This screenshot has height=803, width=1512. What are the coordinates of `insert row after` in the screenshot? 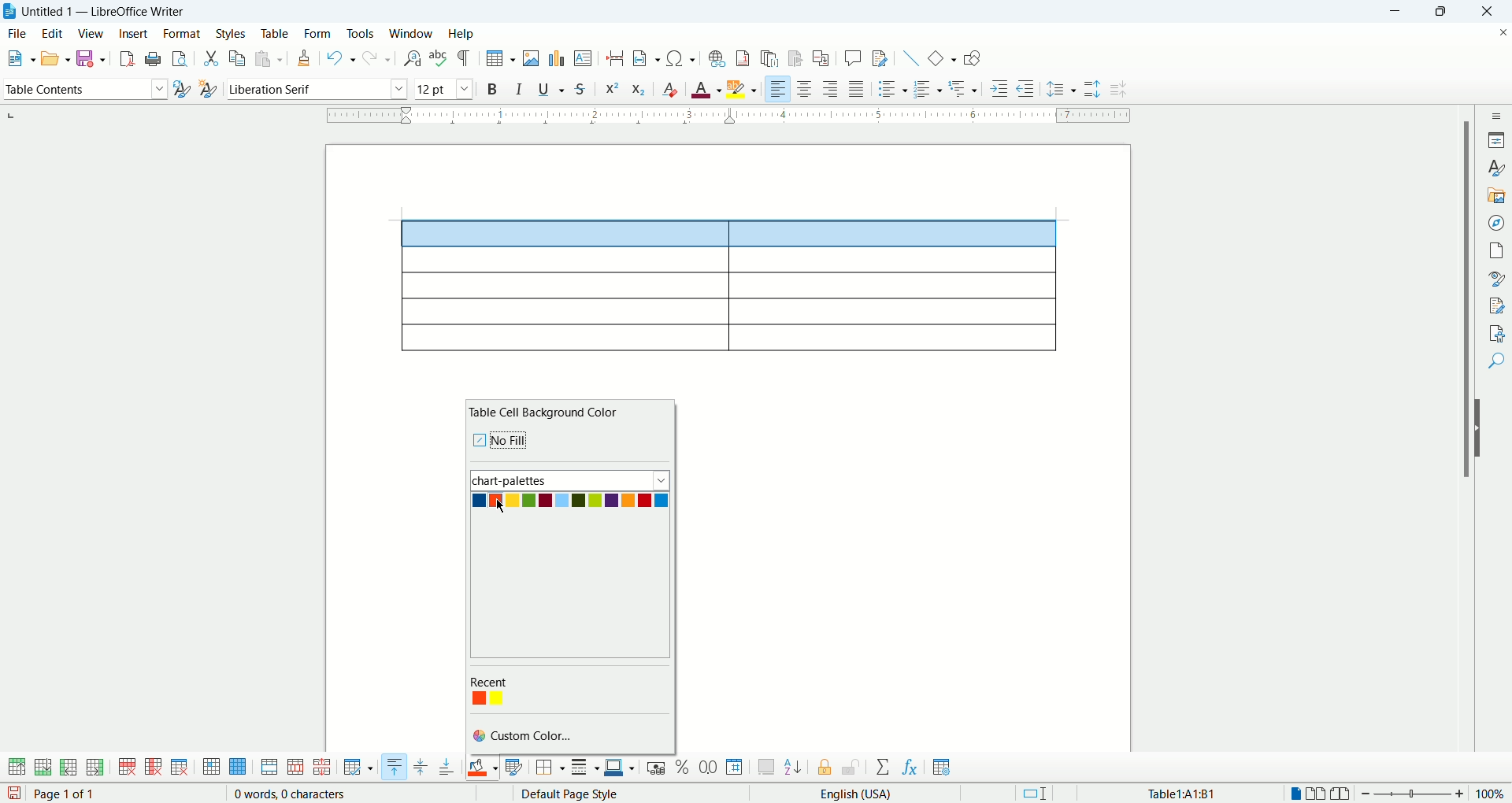 It's located at (95, 767).